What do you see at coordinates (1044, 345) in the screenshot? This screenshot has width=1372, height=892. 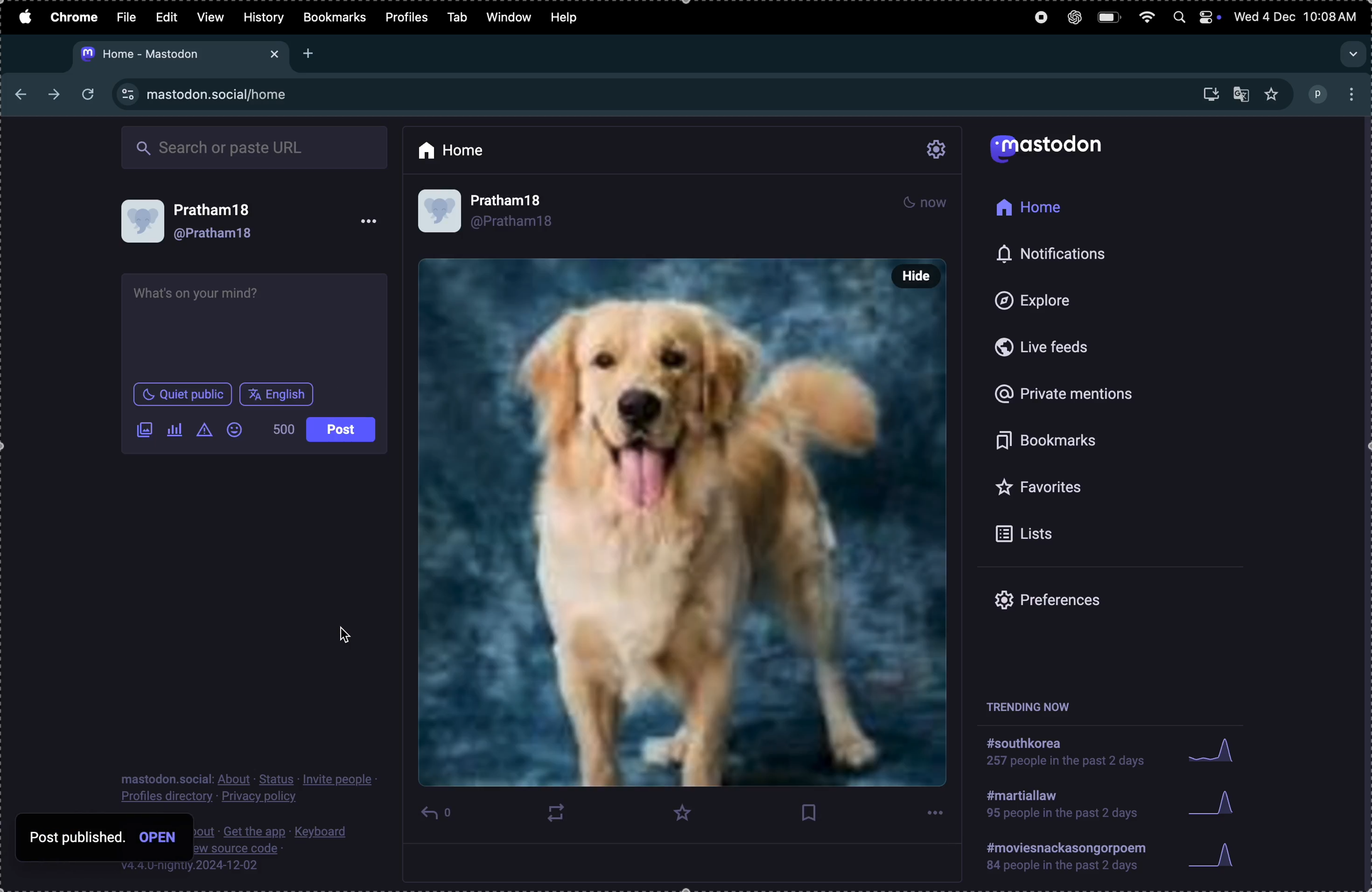 I see `live feeds` at bounding box center [1044, 345].